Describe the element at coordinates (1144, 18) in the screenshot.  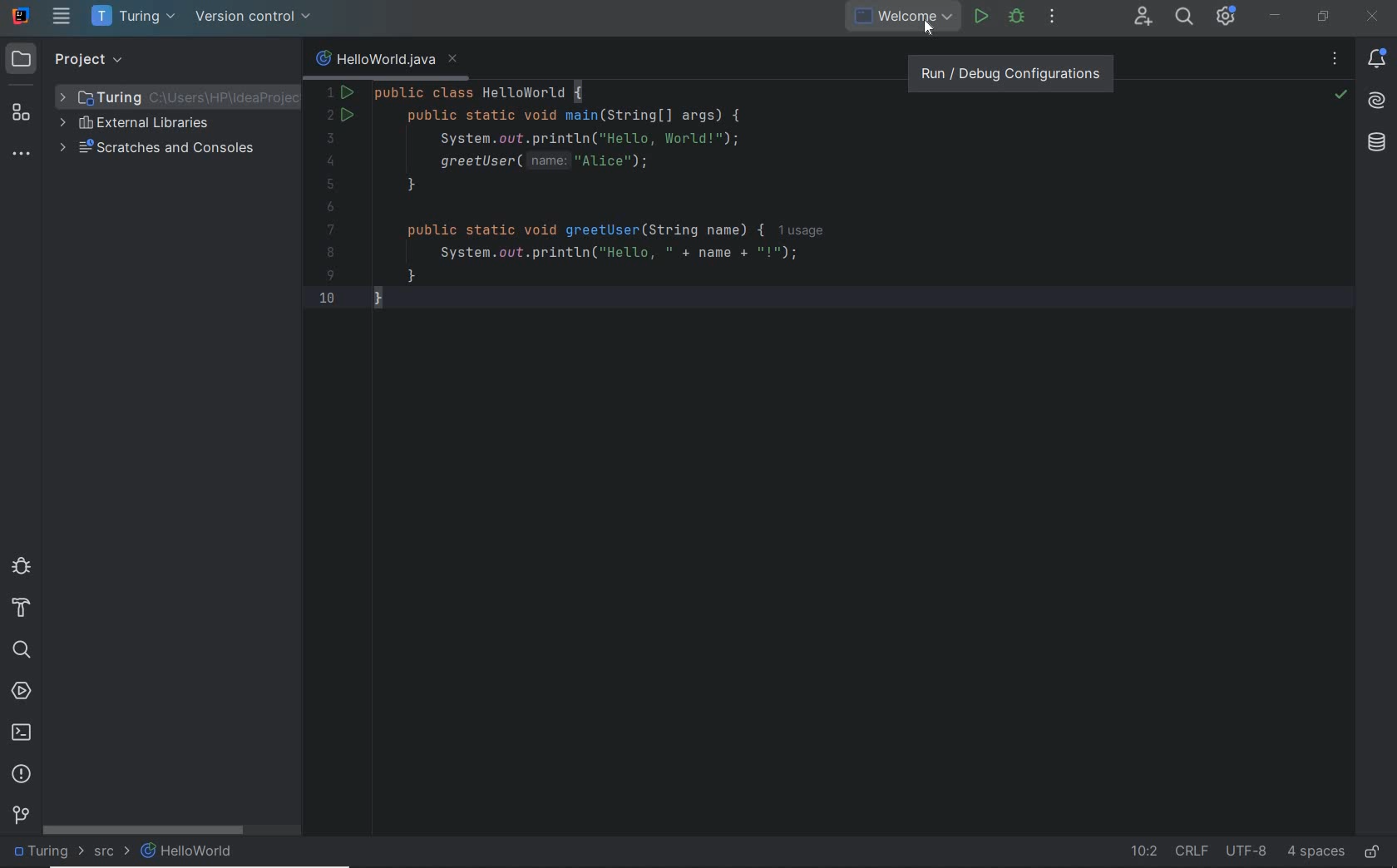
I see `code with me` at that location.